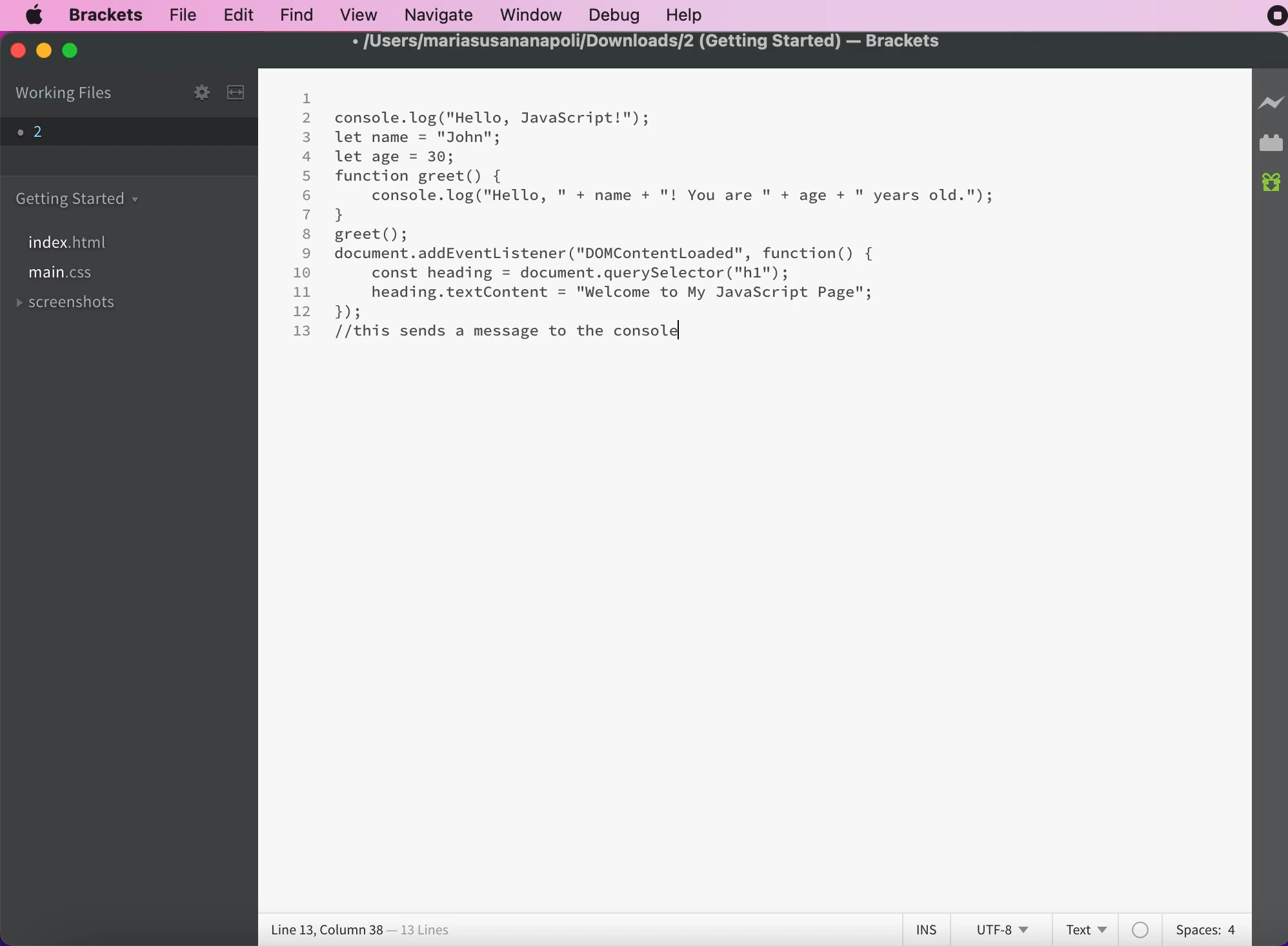 Image resolution: width=1288 pixels, height=946 pixels. Describe the element at coordinates (68, 276) in the screenshot. I see `file main.css` at that location.